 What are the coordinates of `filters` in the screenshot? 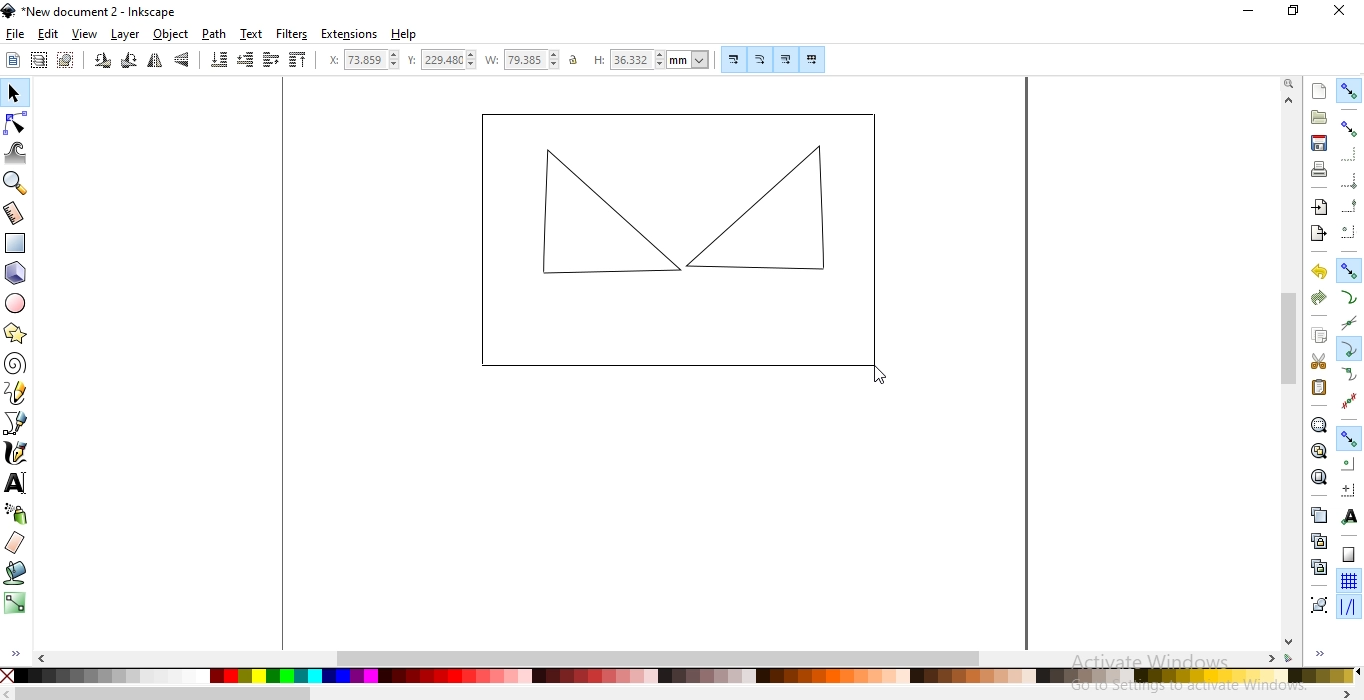 It's located at (292, 34).